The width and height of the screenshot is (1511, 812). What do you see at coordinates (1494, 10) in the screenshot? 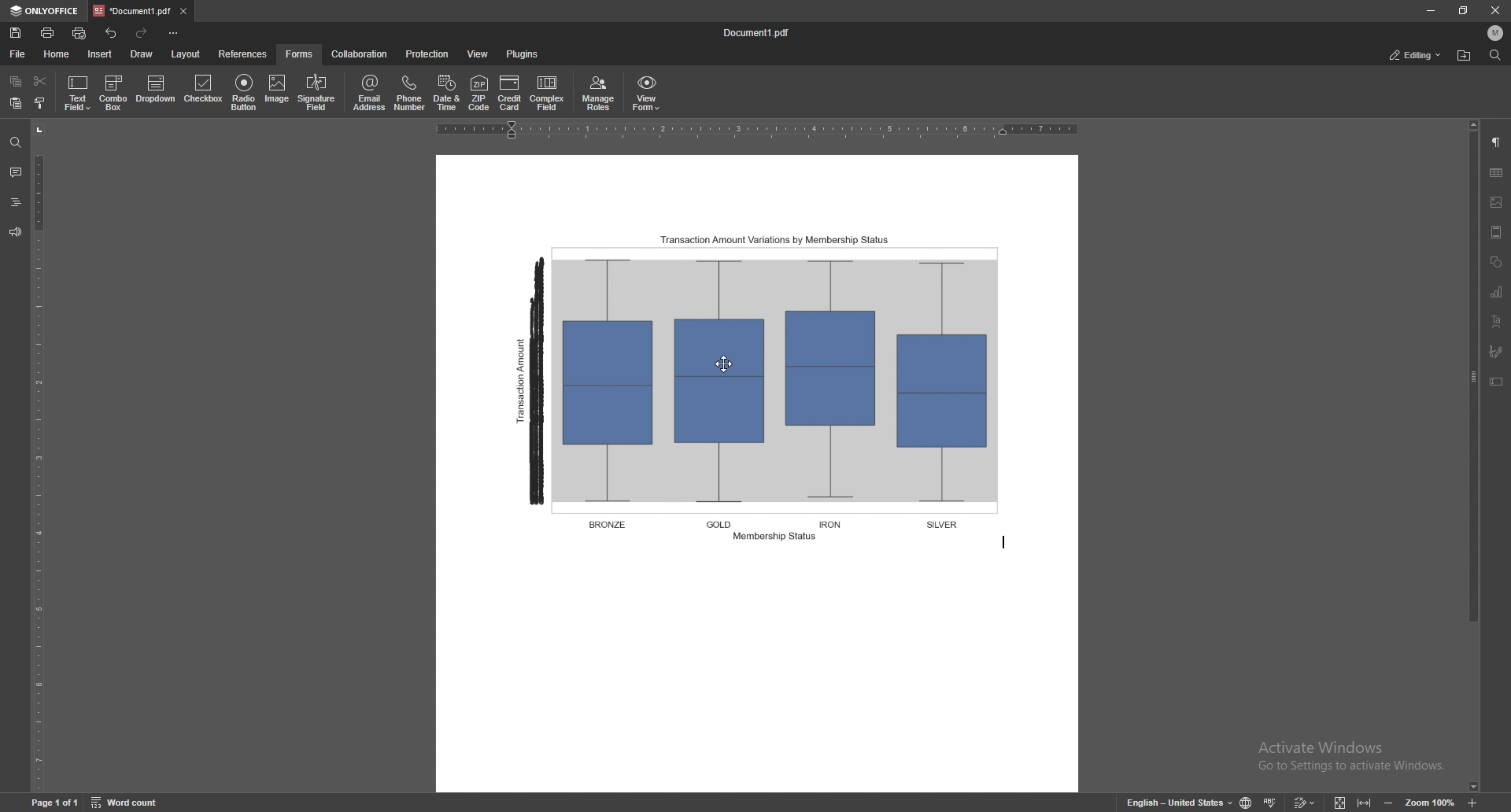
I see `close` at bounding box center [1494, 10].